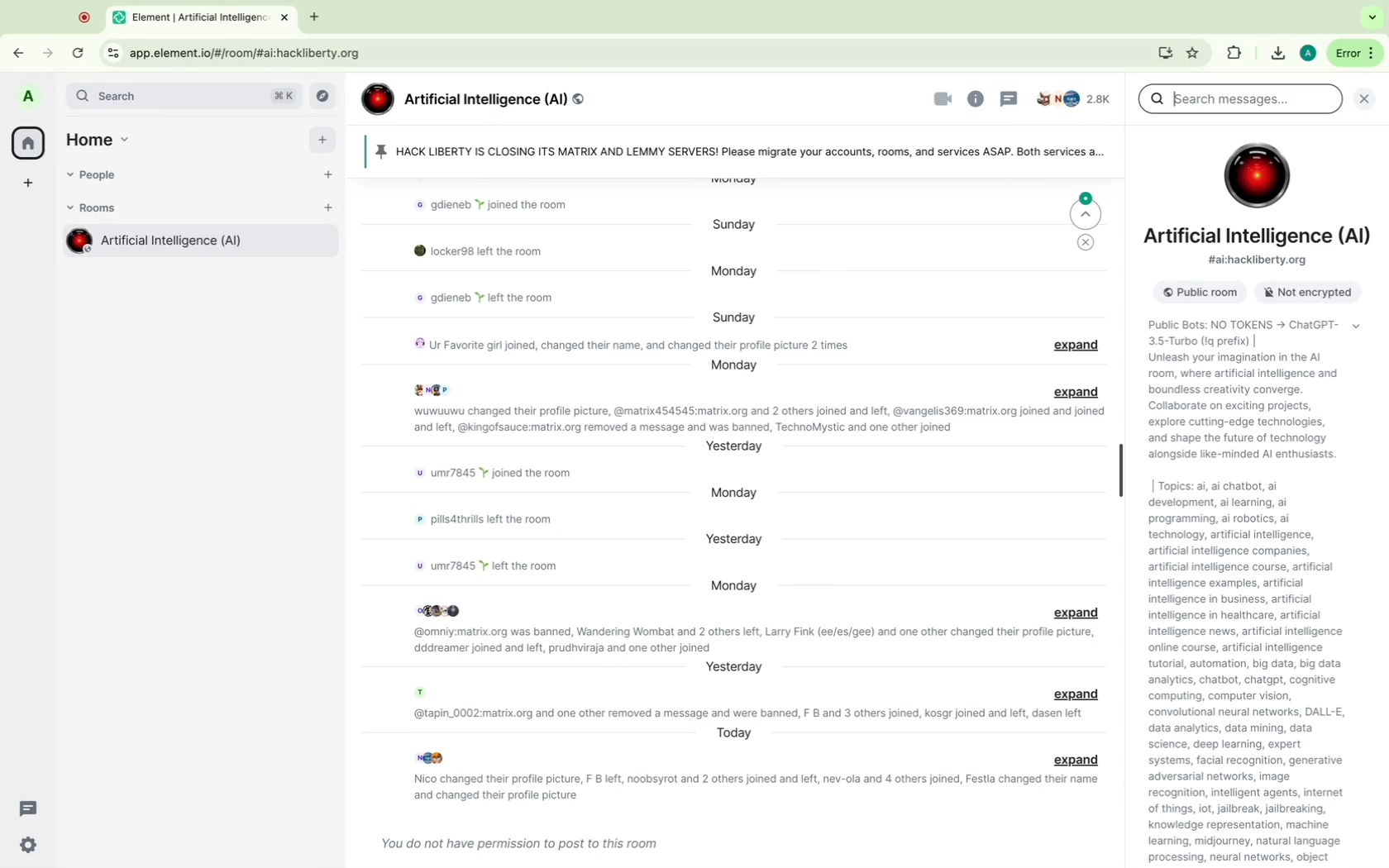 This screenshot has height=868, width=1389. Describe the element at coordinates (420, 693) in the screenshot. I see `profile picture` at that location.